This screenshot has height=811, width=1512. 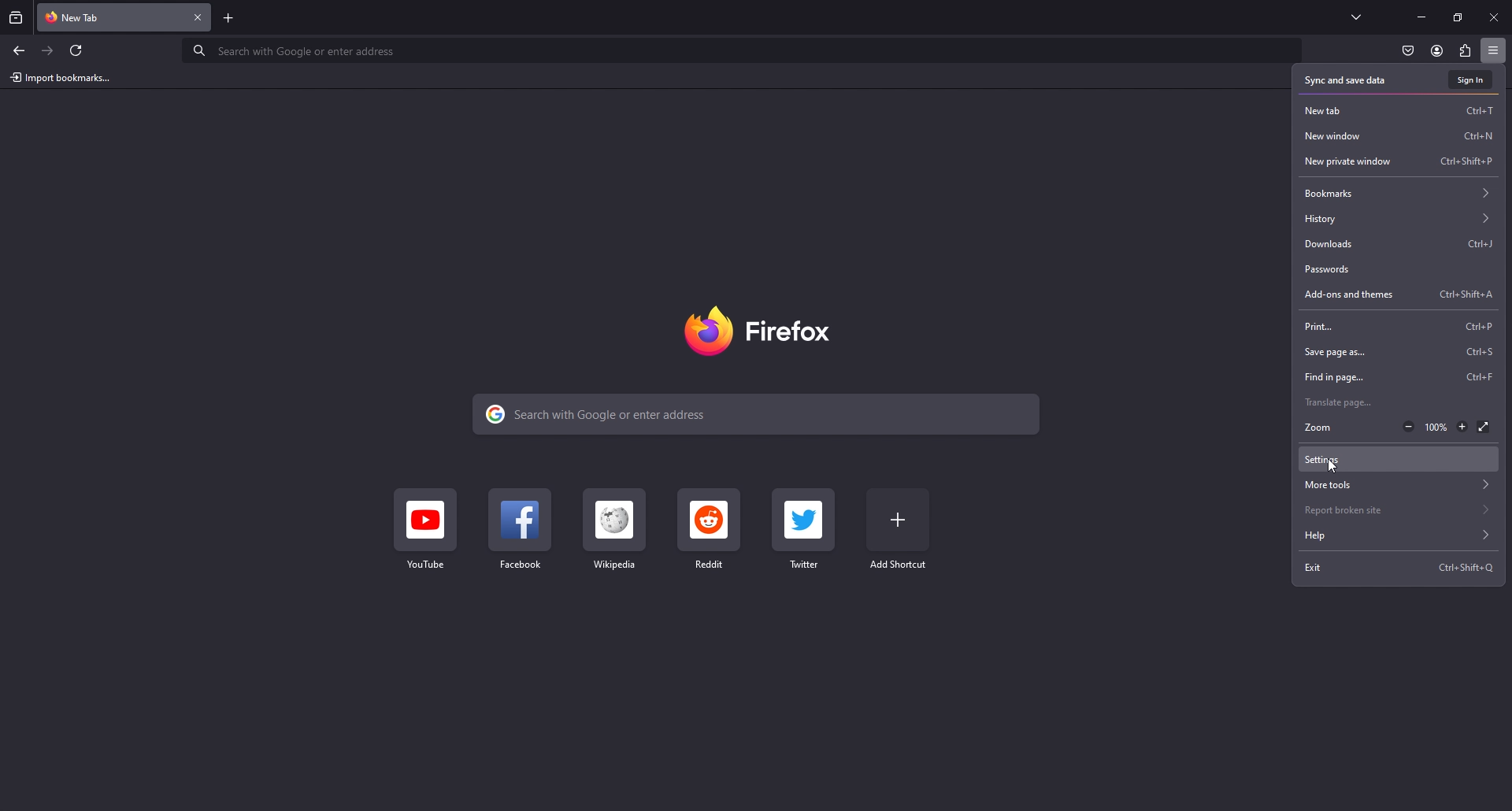 I want to click on translate page, so click(x=1400, y=402).